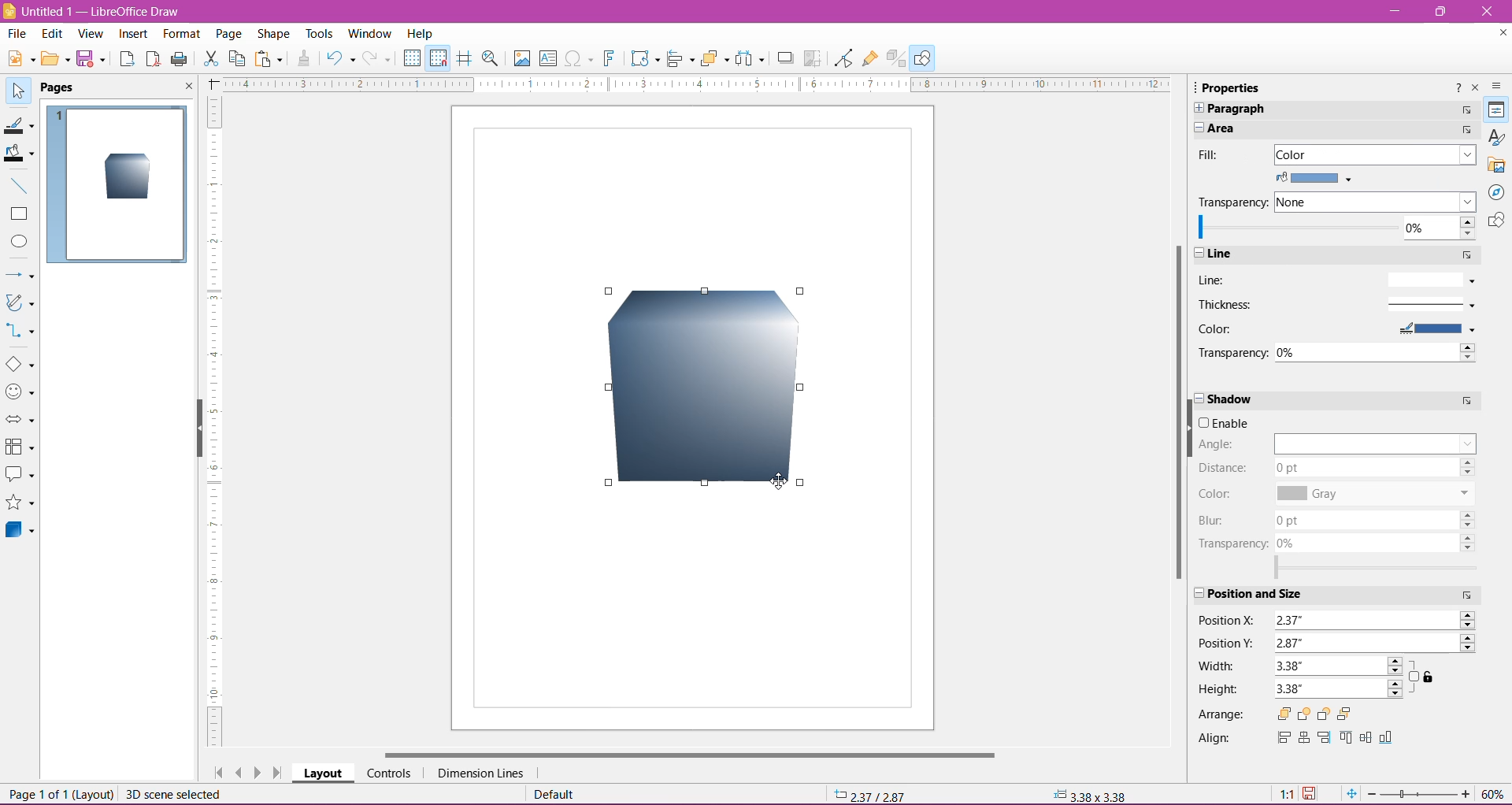 Image resolution: width=1512 pixels, height=805 pixels. I want to click on Arrange, so click(1222, 714).